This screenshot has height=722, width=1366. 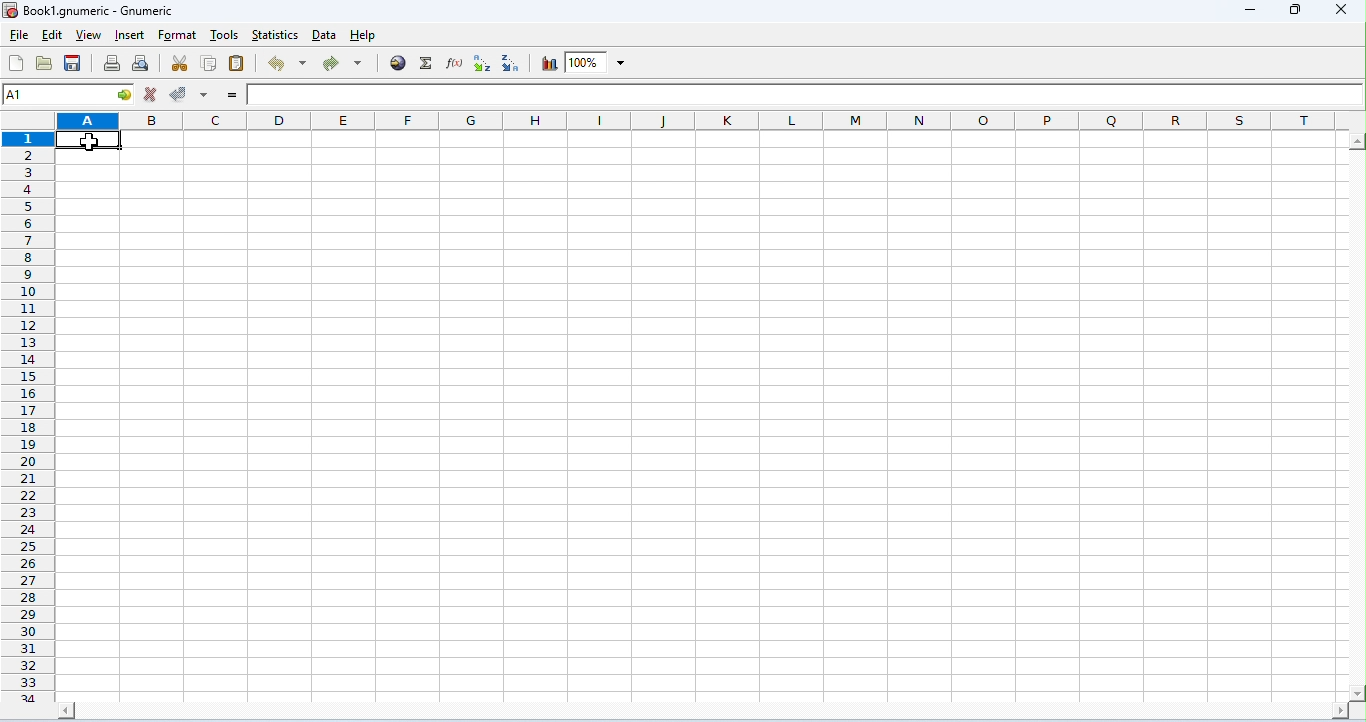 I want to click on Book1 numeric - Gnumeric, so click(x=89, y=11).